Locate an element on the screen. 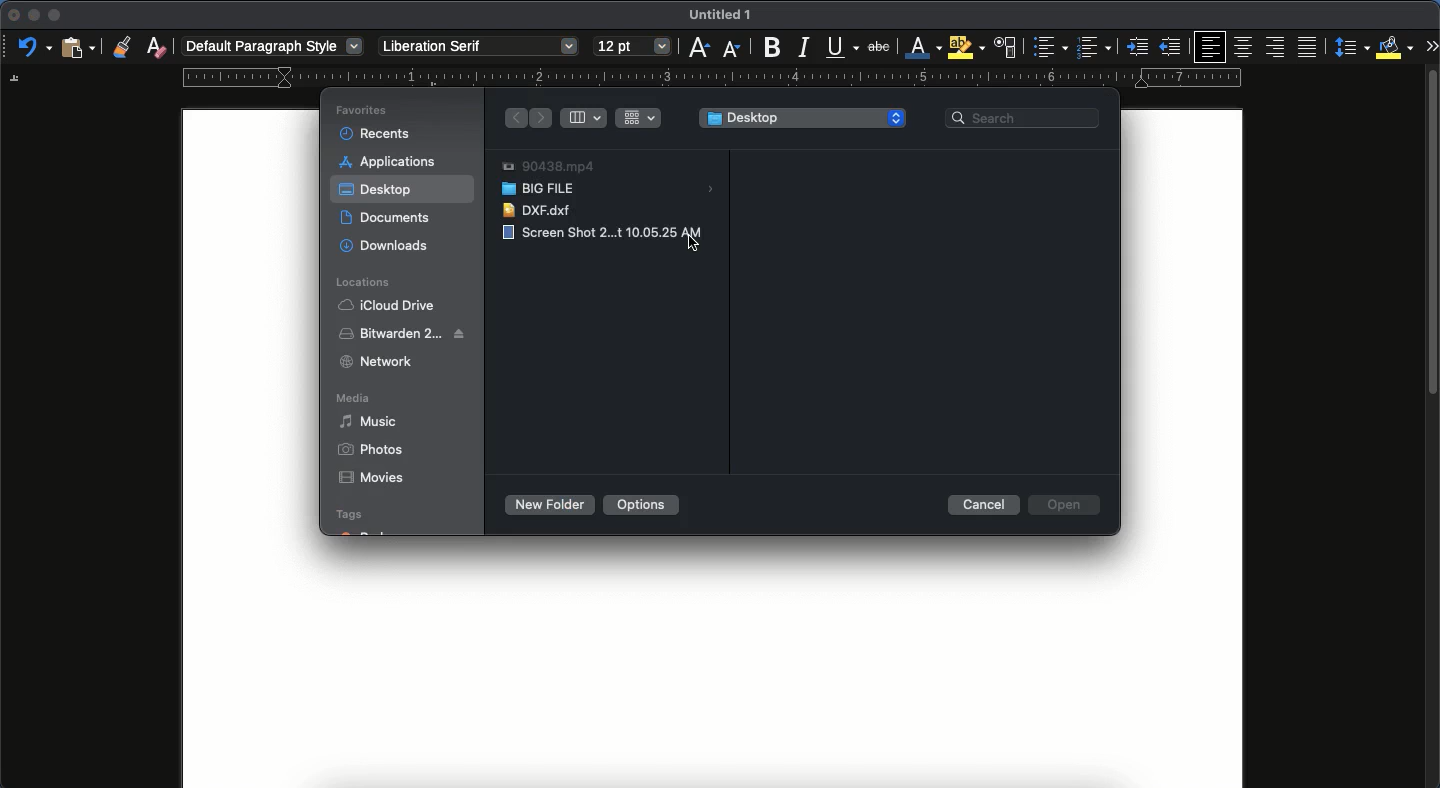 The image size is (1440, 788). application is located at coordinates (393, 161).